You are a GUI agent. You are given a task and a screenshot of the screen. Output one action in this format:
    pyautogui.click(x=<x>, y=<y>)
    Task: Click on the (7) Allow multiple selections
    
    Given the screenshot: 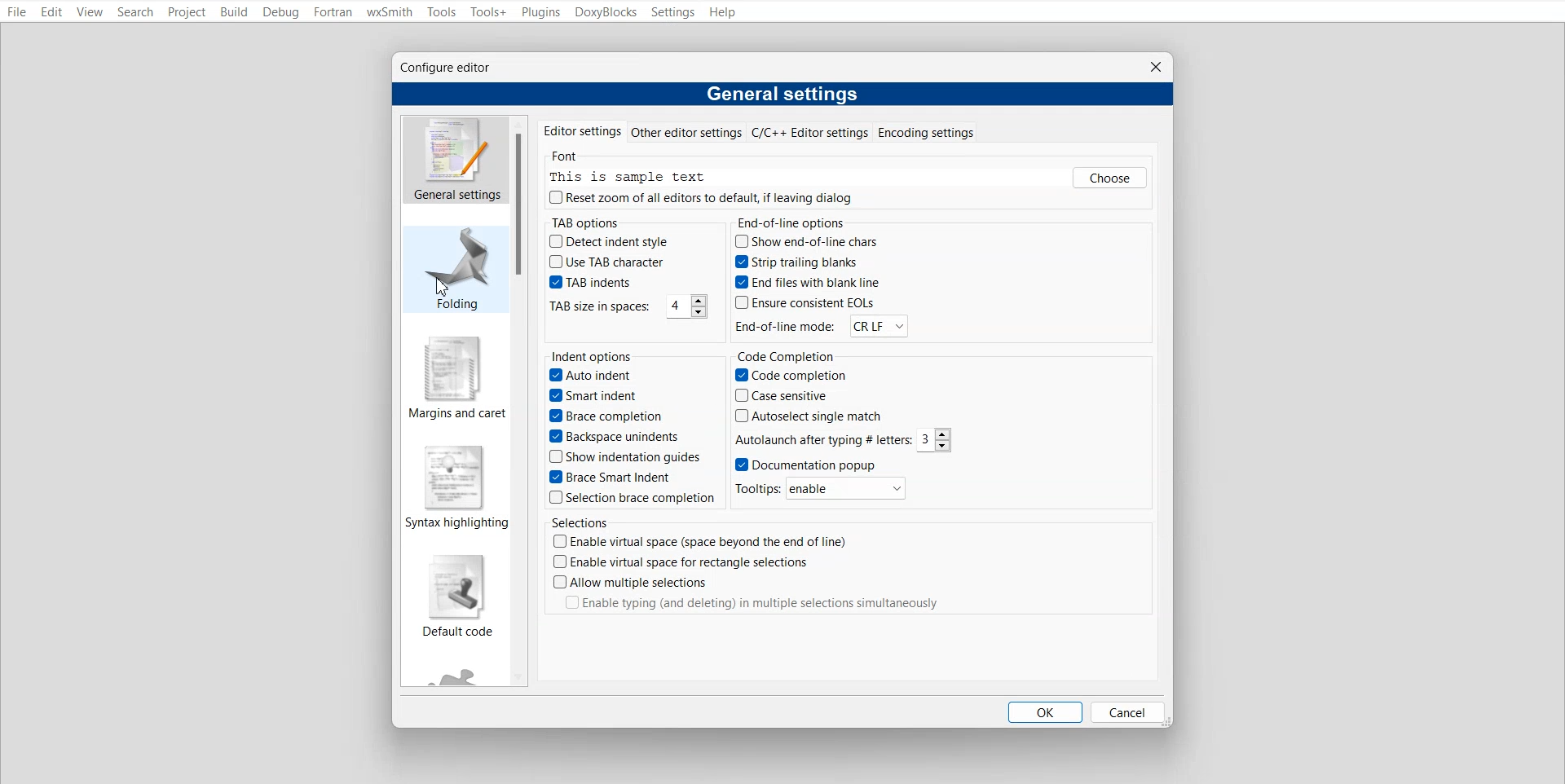 What is the action you would take?
    pyautogui.click(x=633, y=583)
    